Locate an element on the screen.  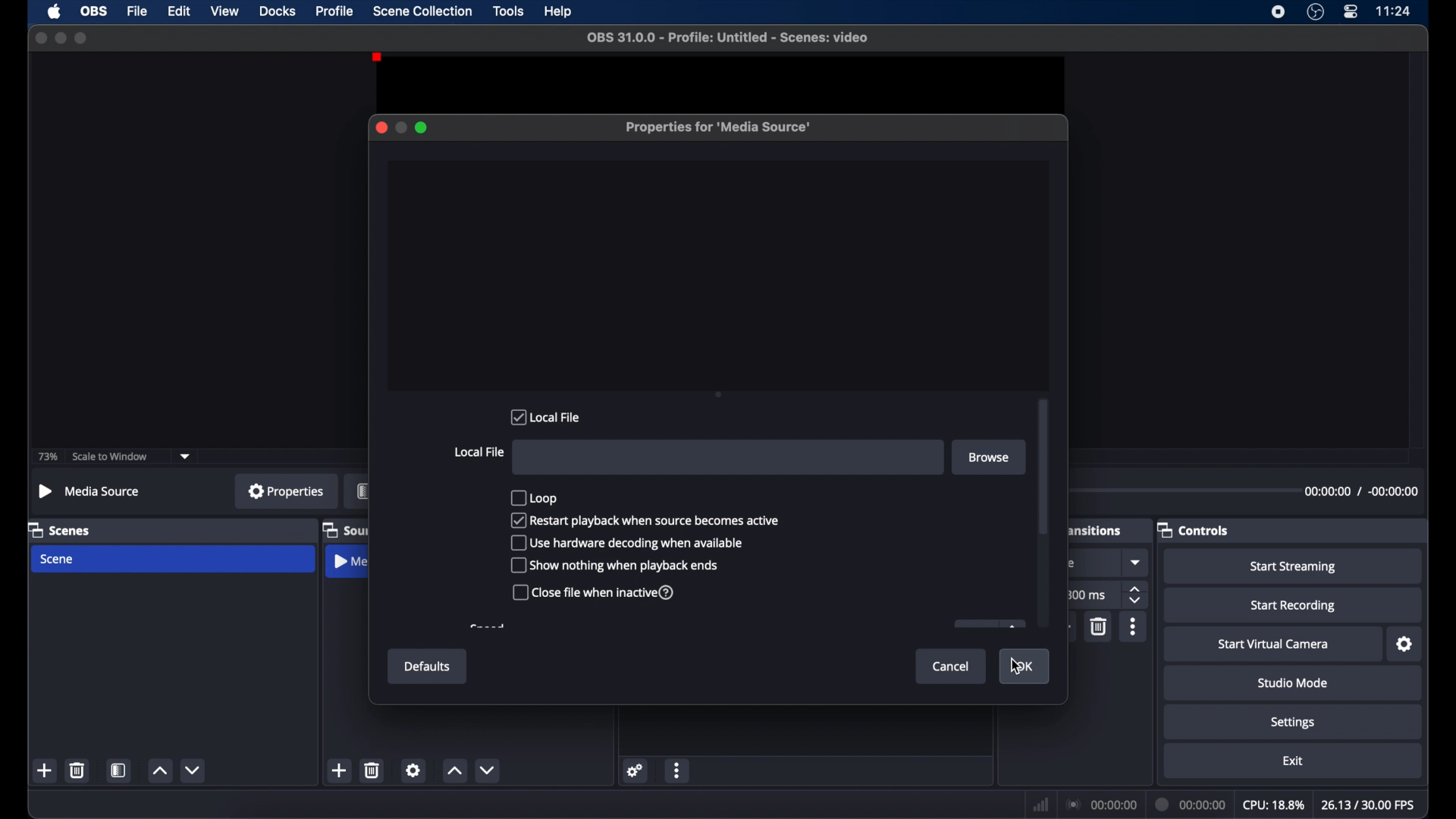
scene filters is located at coordinates (118, 770).